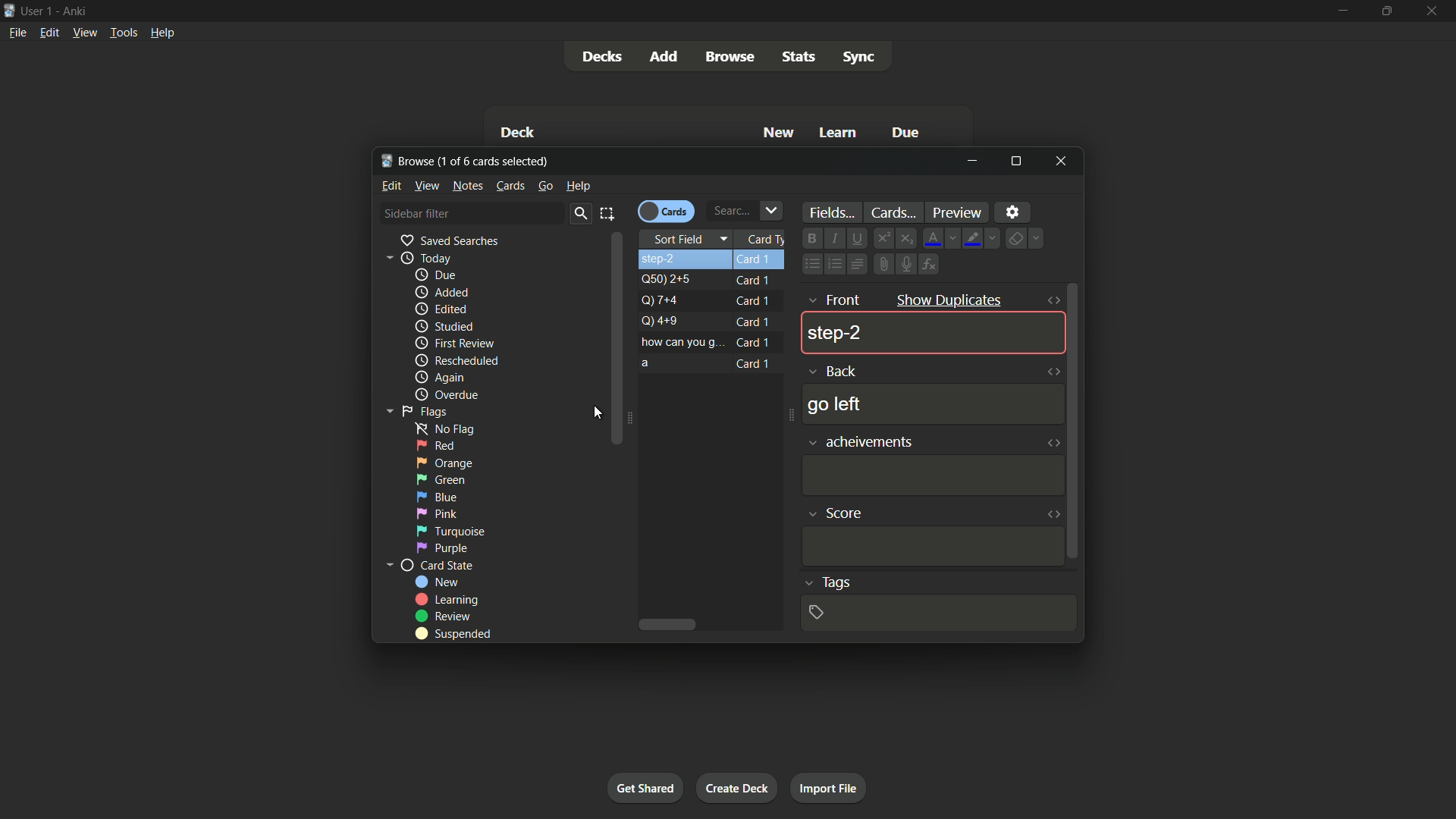  Describe the element at coordinates (780, 133) in the screenshot. I see `New` at that location.